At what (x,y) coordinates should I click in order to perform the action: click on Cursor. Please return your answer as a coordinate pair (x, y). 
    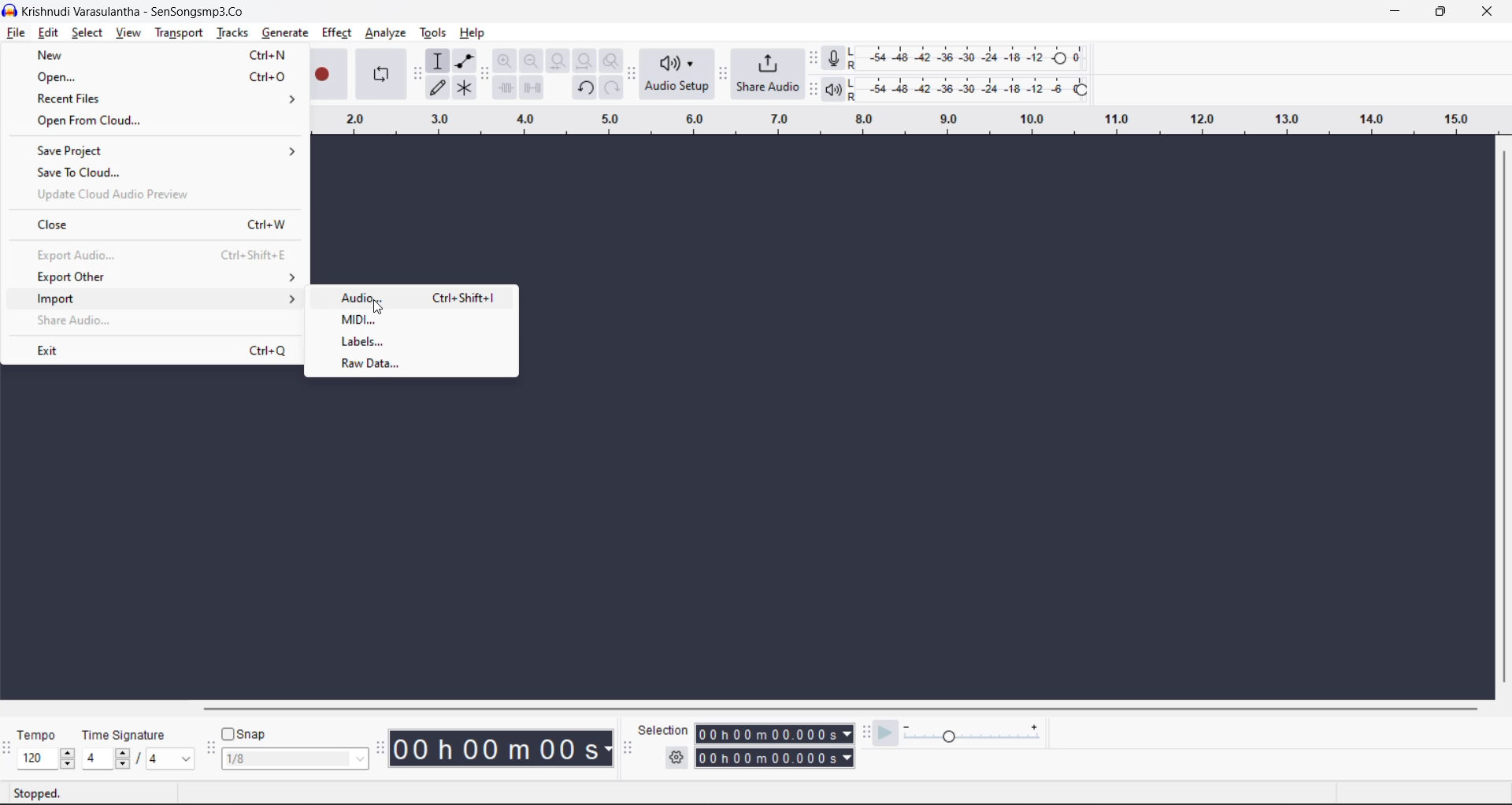
    Looking at the image, I should click on (382, 310).